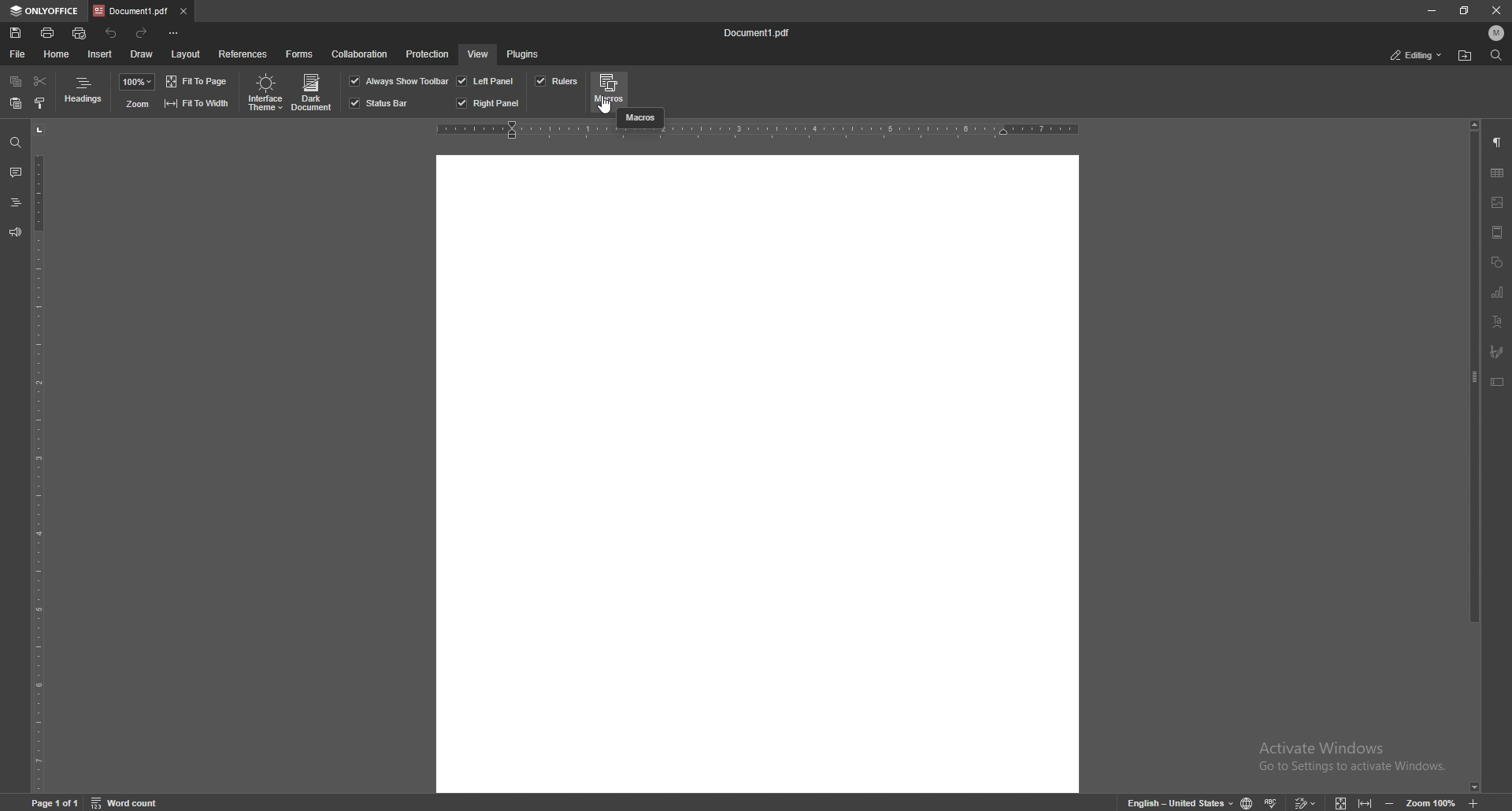 This screenshot has height=811, width=1512. What do you see at coordinates (1497, 33) in the screenshot?
I see `profile` at bounding box center [1497, 33].